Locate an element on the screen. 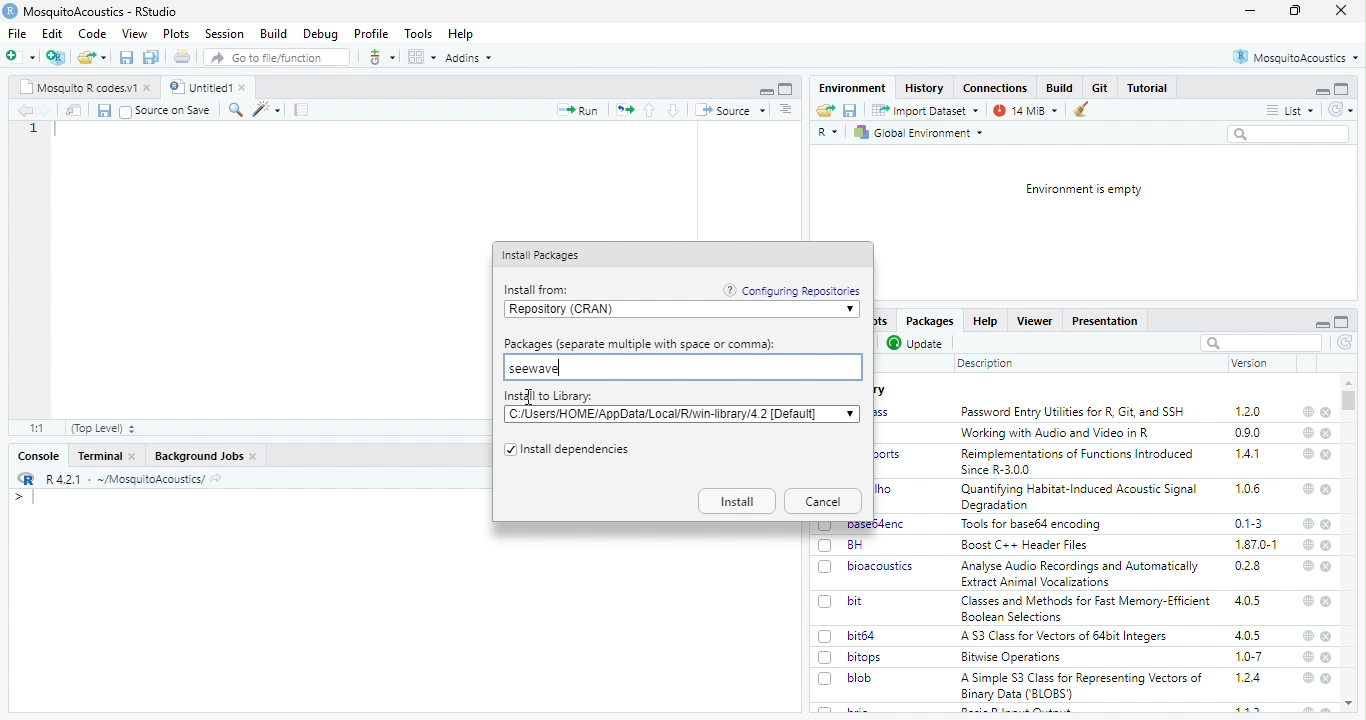  web is located at coordinates (1308, 566).